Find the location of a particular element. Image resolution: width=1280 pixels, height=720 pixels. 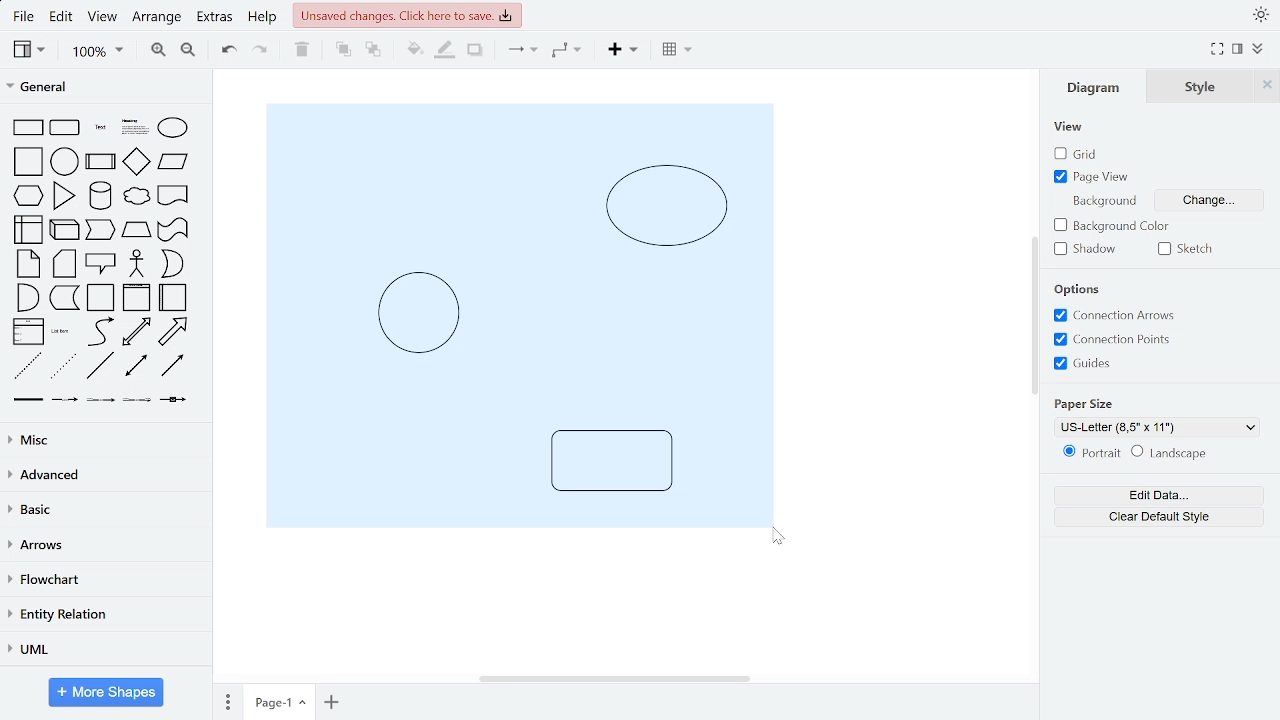

heading is located at coordinates (134, 128).